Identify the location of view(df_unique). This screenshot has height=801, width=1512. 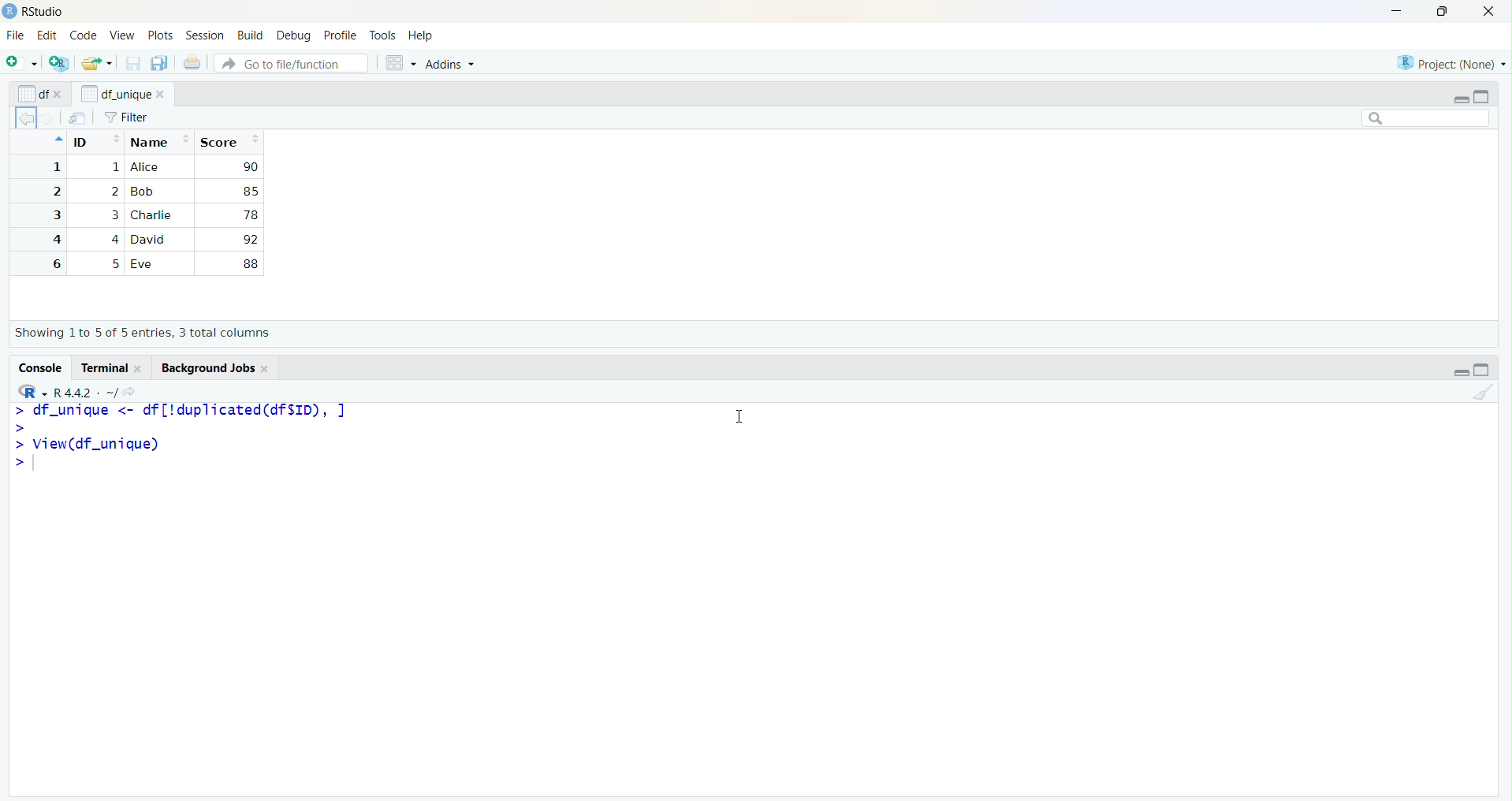
(99, 443).